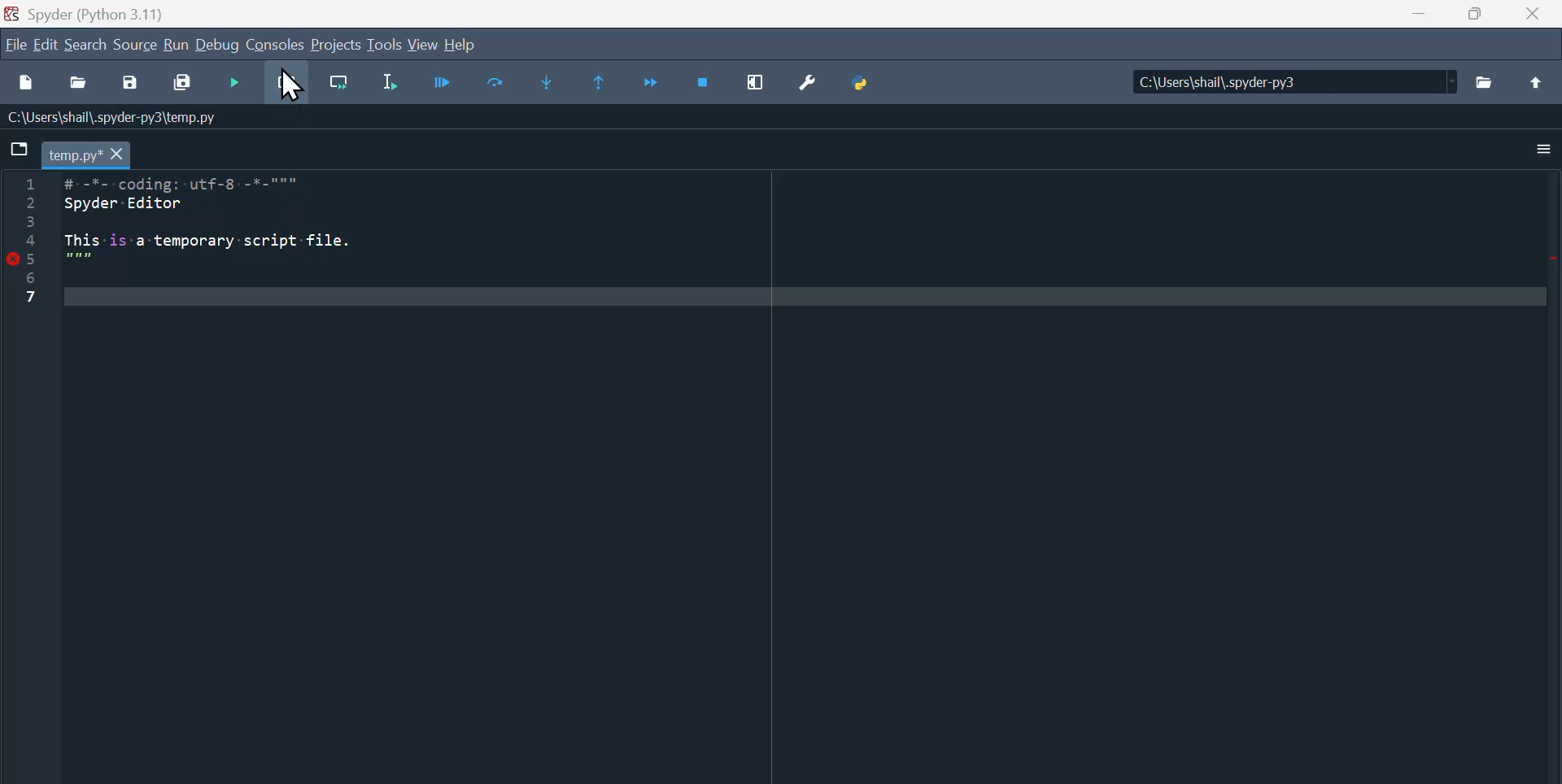 The image size is (1562, 784). What do you see at coordinates (295, 85) in the screenshot?
I see `cursor` at bounding box center [295, 85].